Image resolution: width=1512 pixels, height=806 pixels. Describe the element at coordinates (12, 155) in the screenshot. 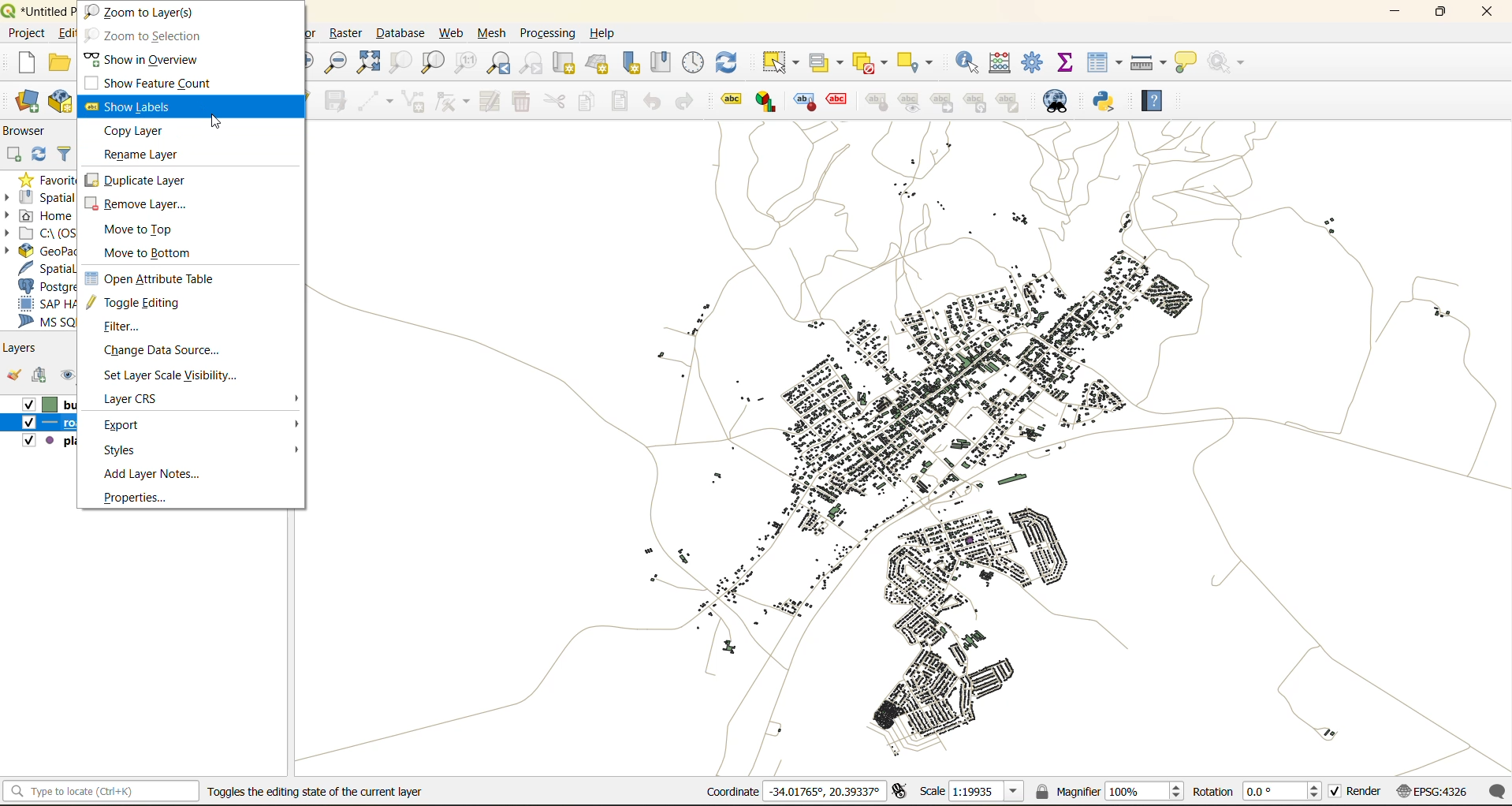

I see `add` at that location.